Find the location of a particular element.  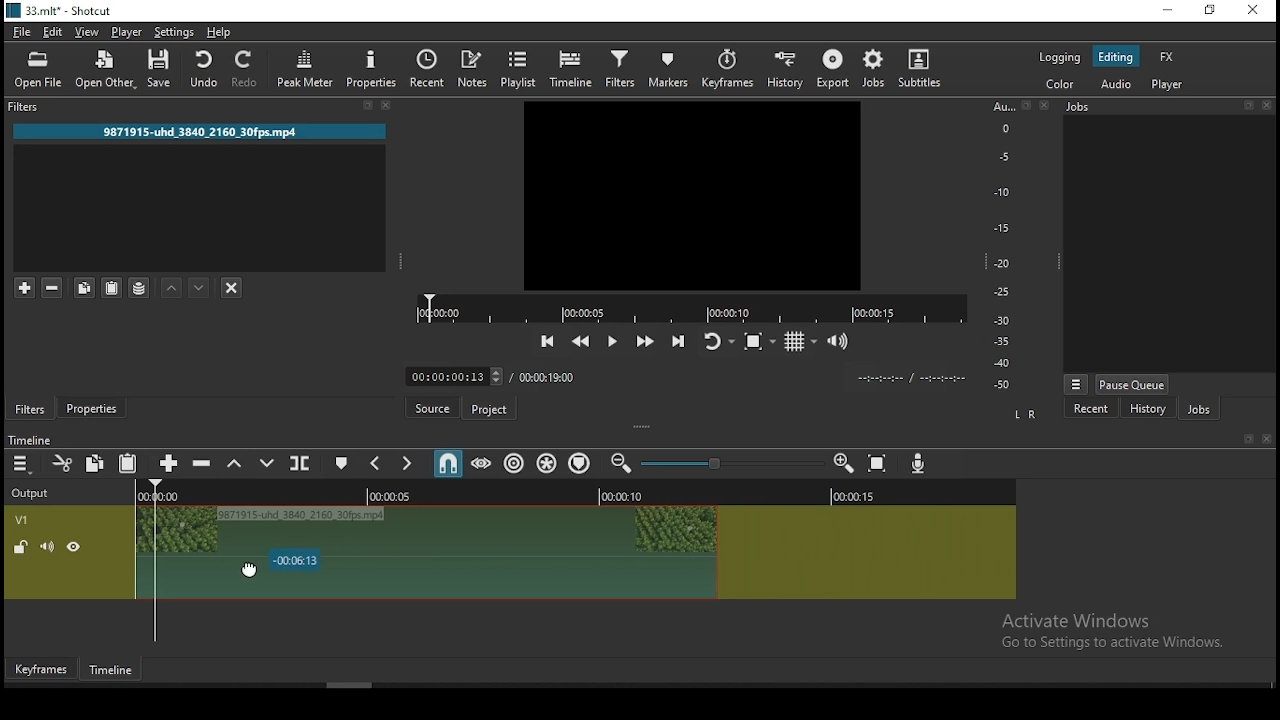

bookmark is located at coordinates (363, 104).